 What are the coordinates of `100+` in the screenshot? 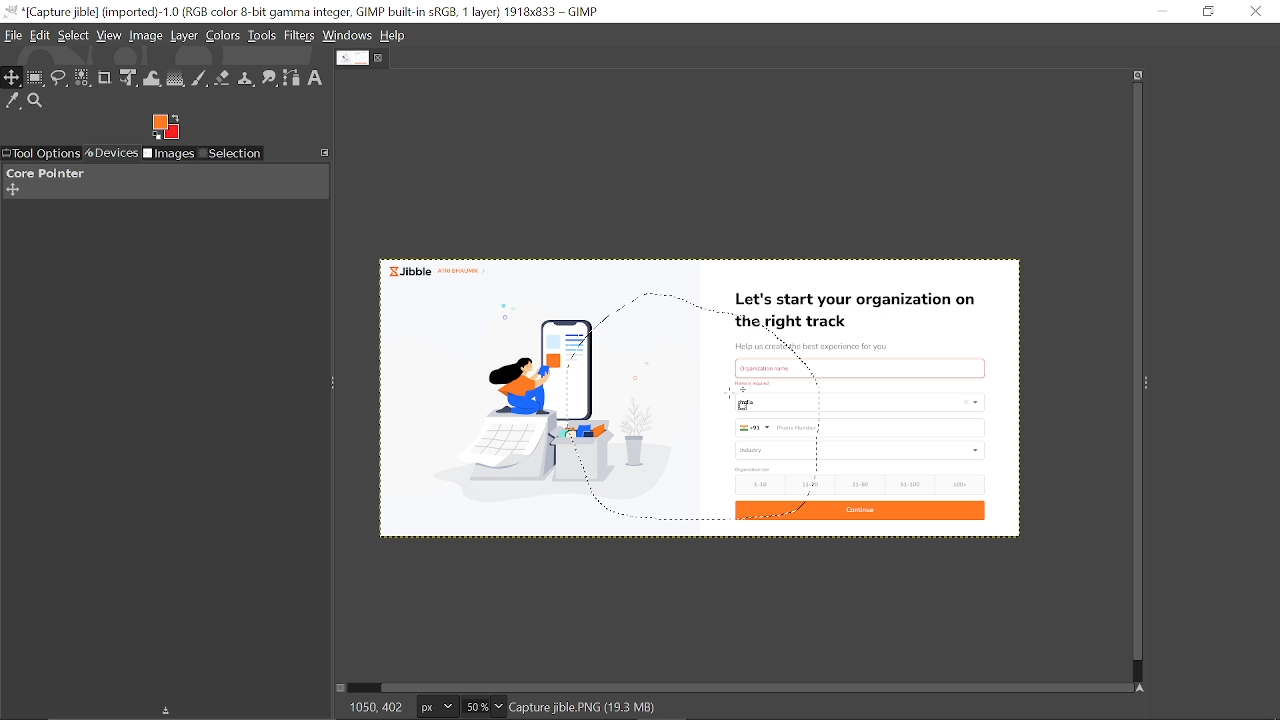 It's located at (958, 483).